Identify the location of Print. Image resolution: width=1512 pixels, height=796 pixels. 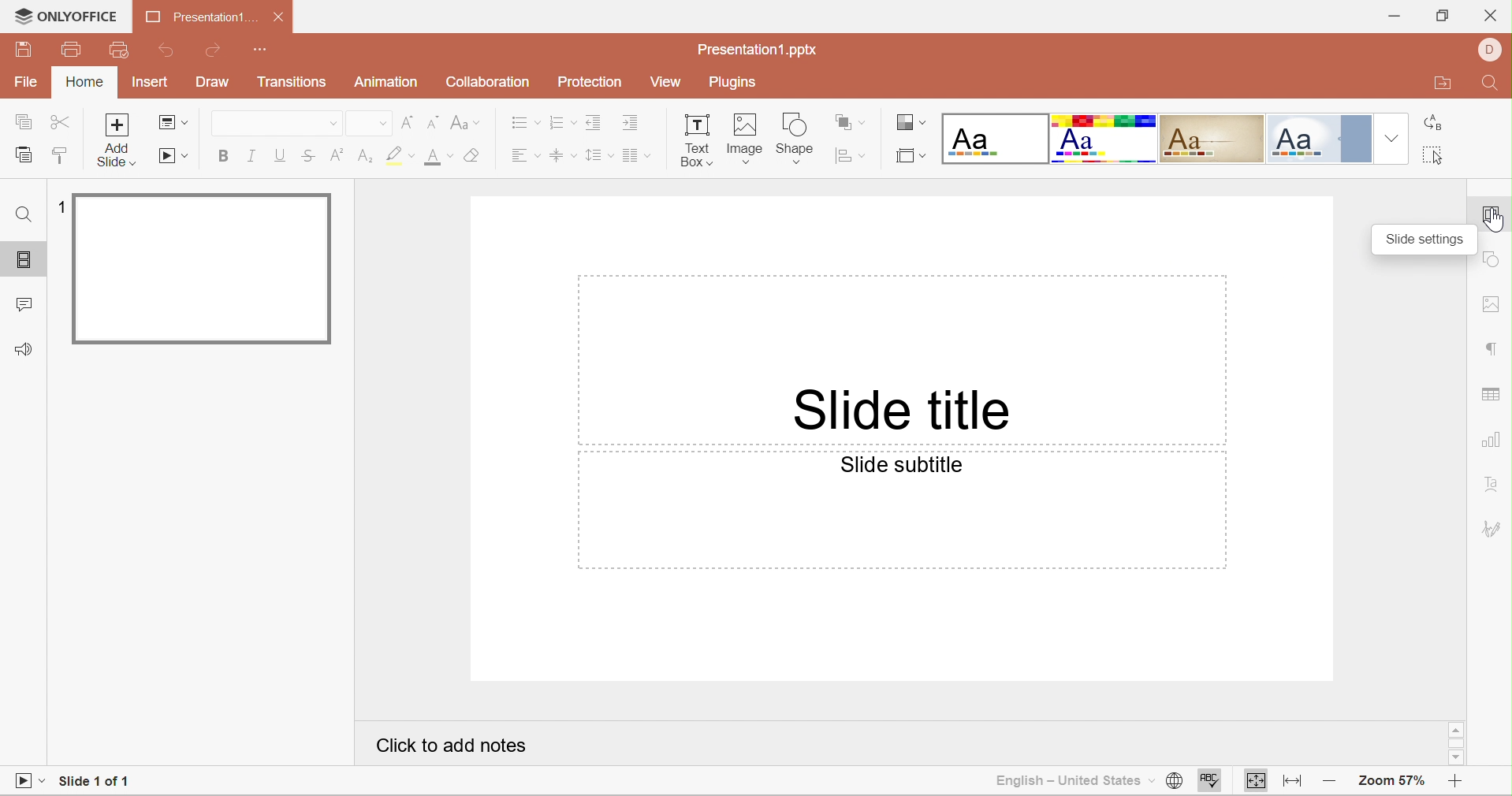
(69, 50).